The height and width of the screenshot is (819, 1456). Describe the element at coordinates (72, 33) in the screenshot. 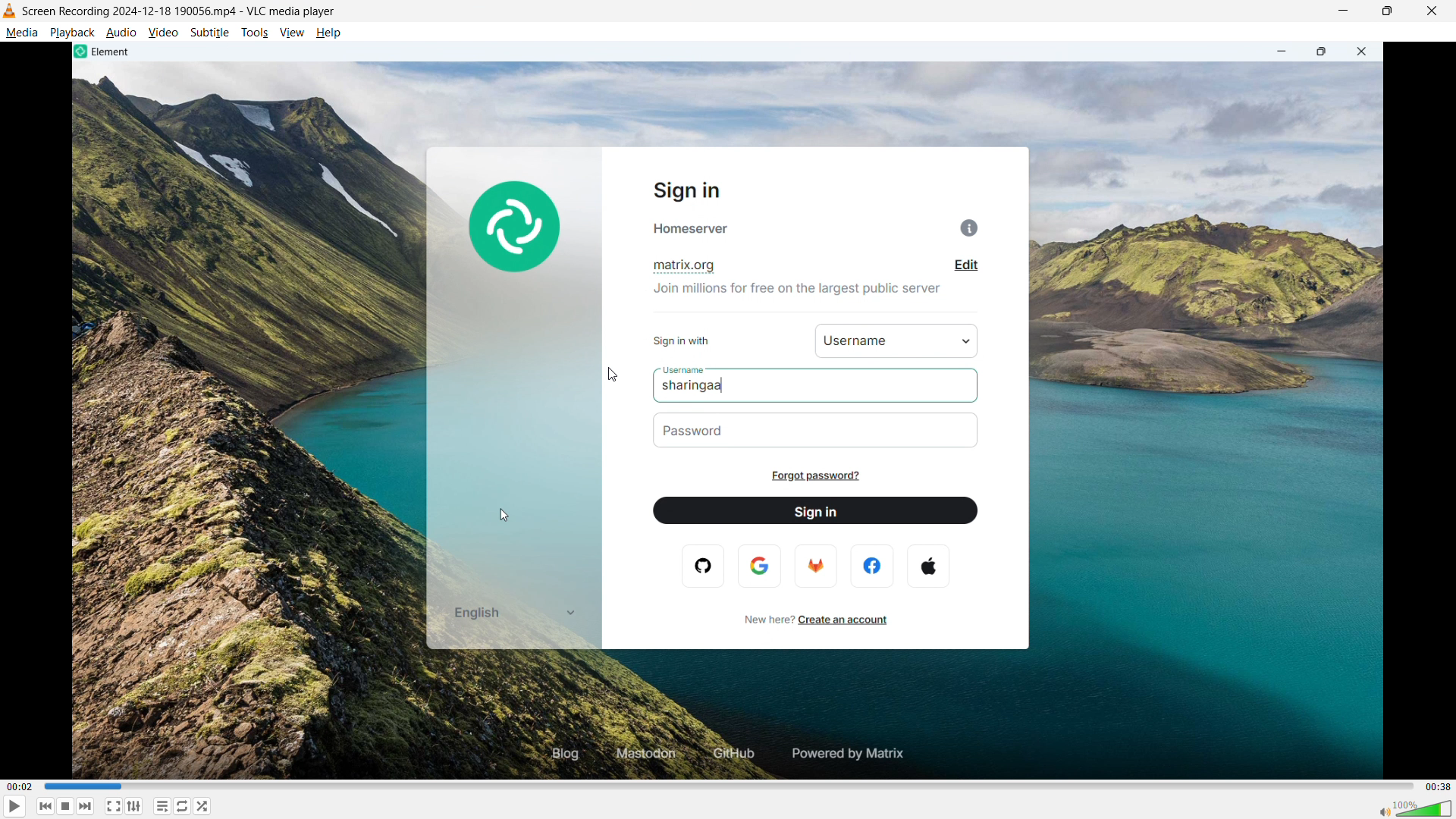

I see `Play back ` at that location.